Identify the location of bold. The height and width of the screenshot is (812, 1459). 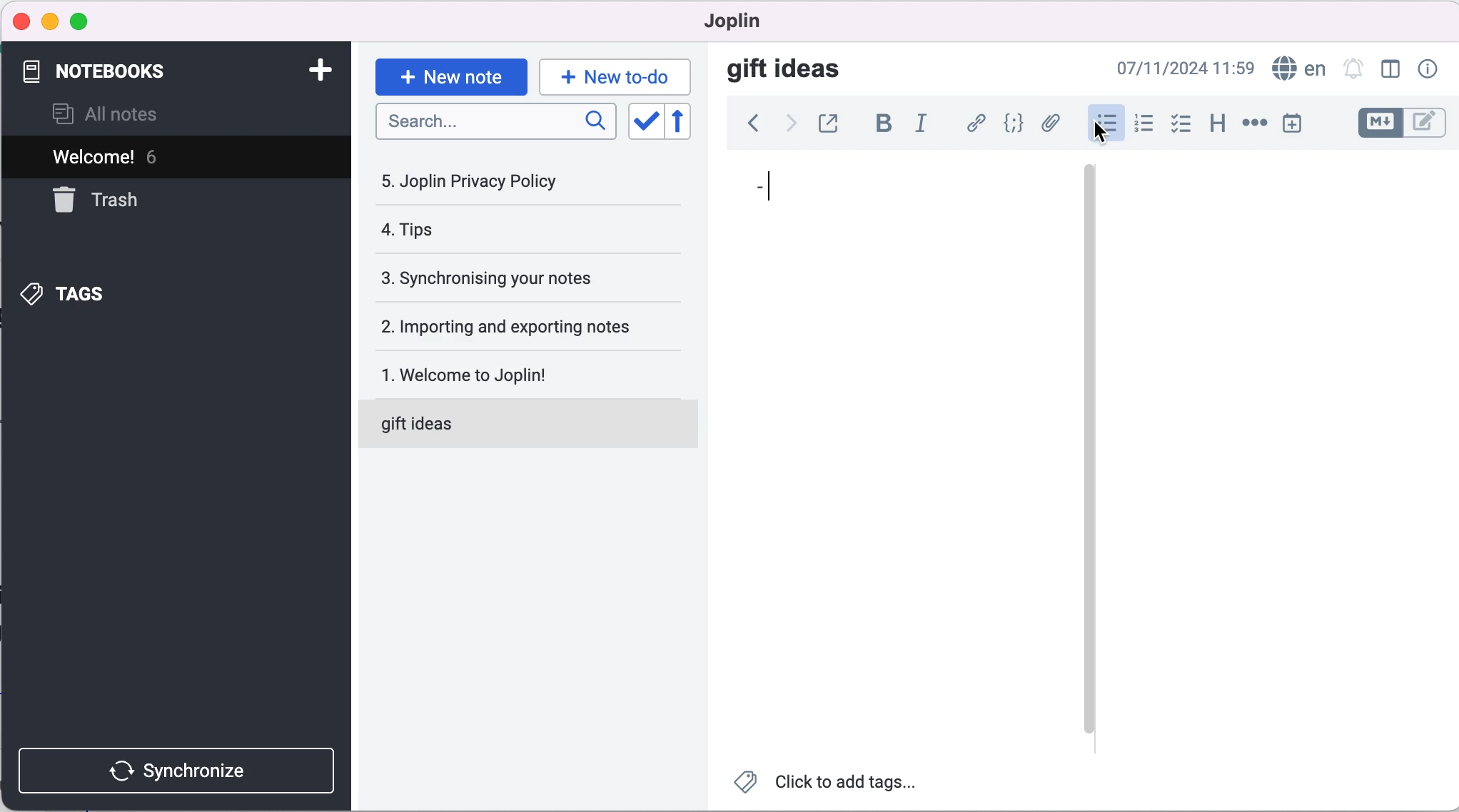
(884, 124).